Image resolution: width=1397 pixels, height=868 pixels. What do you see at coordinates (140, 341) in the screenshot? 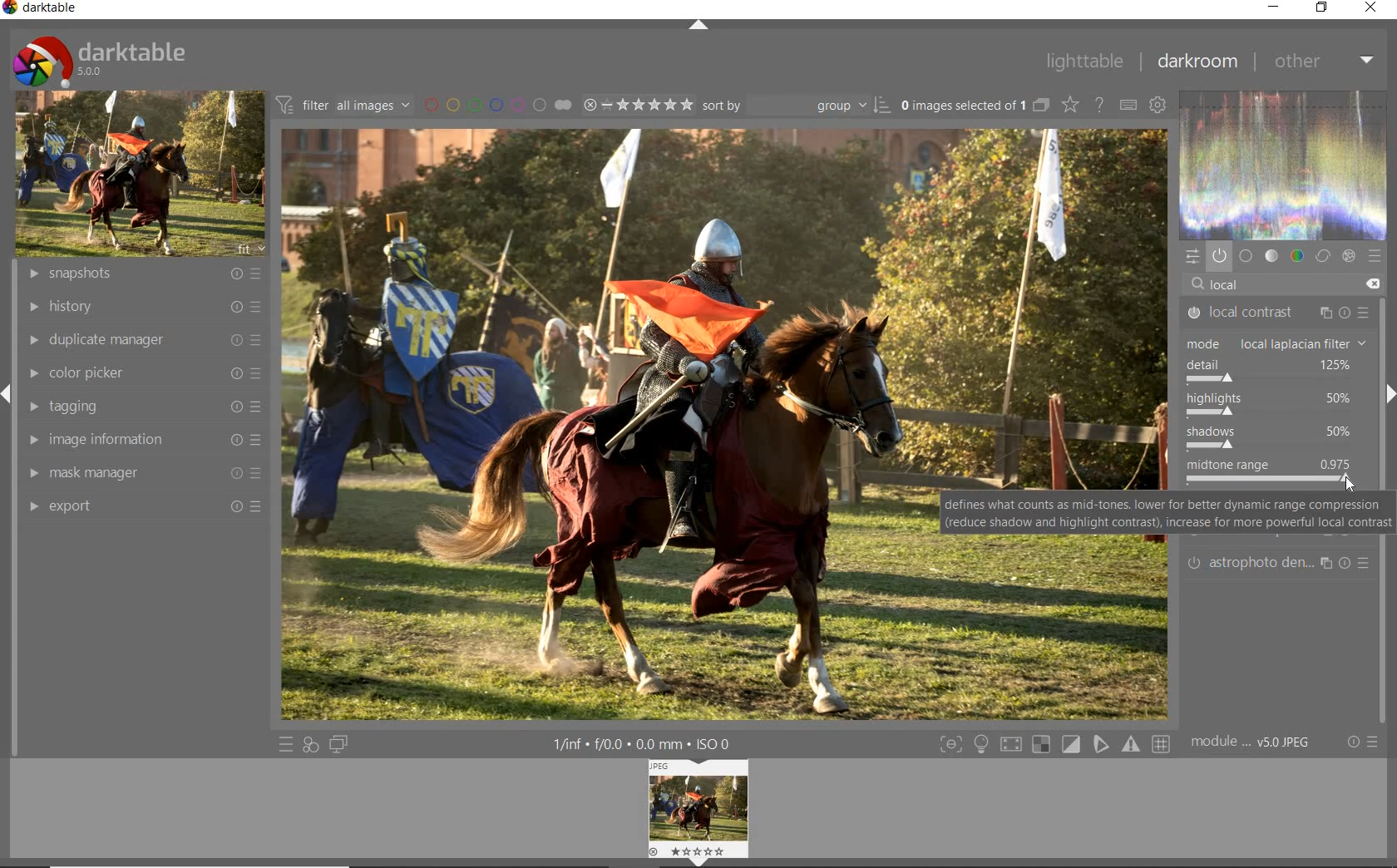
I see `duplicate manager` at bounding box center [140, 341].